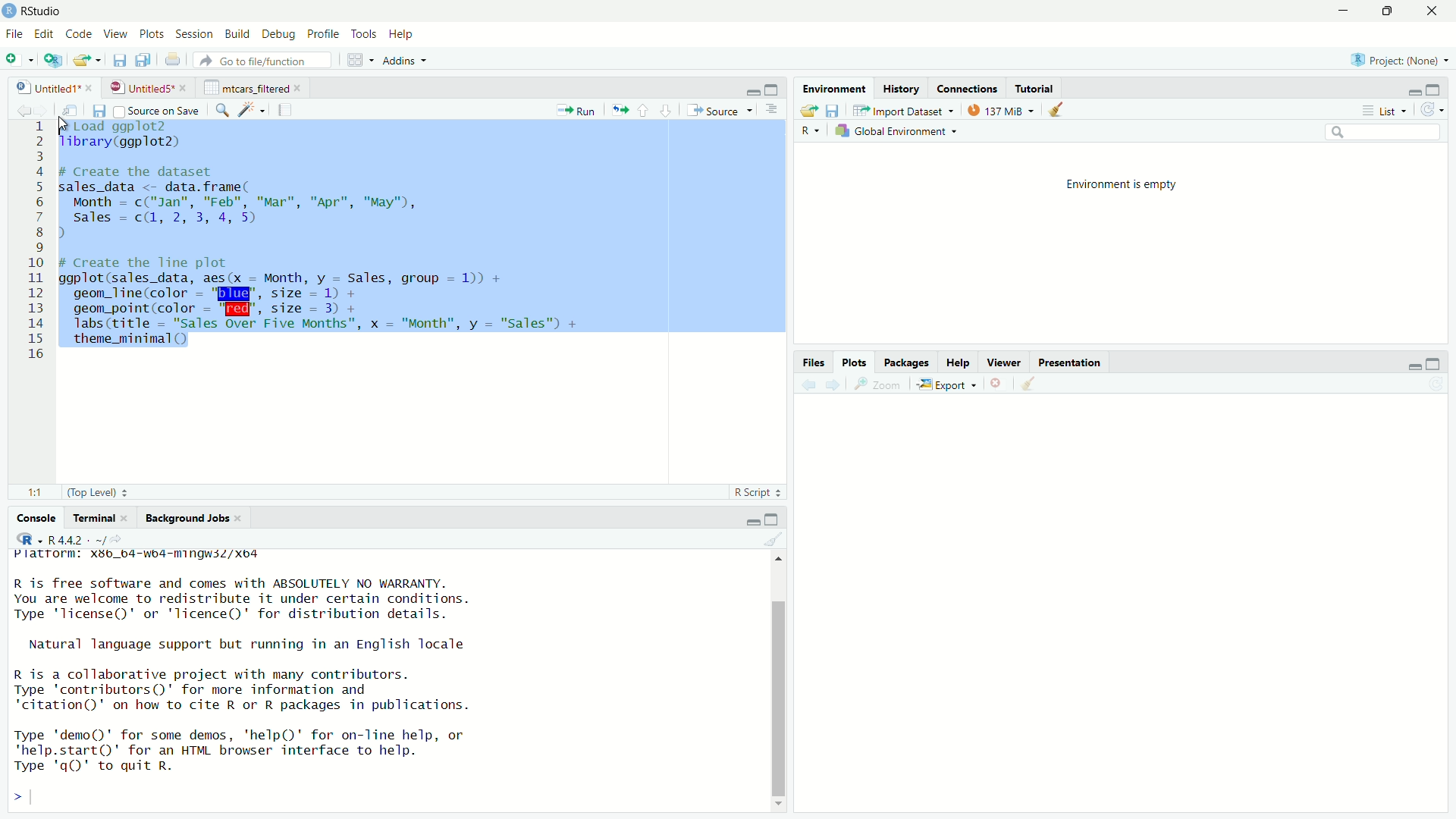 The width and height of the screenshot is (1456, 819). I want to click on run current file, so click(577, 111).